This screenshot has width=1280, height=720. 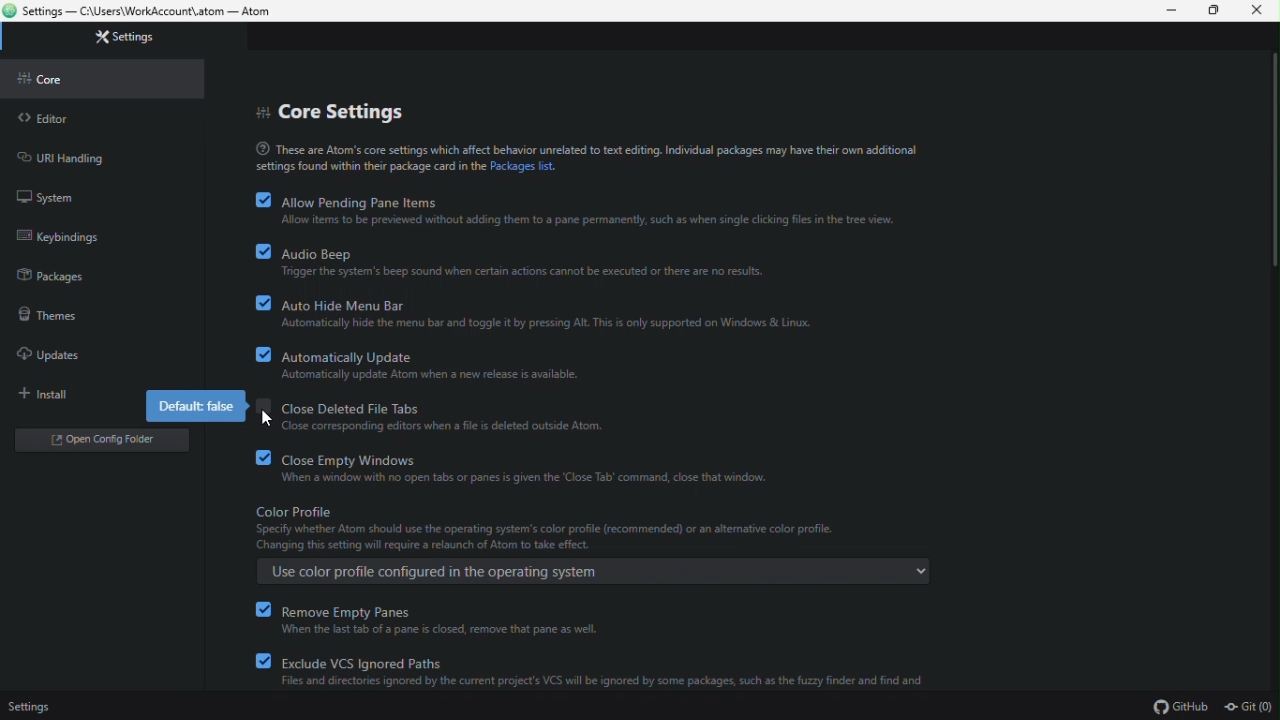 What do you see at coordinates (49, 196) in the screenshot?
I see `system` at bounding box center [49, 196].